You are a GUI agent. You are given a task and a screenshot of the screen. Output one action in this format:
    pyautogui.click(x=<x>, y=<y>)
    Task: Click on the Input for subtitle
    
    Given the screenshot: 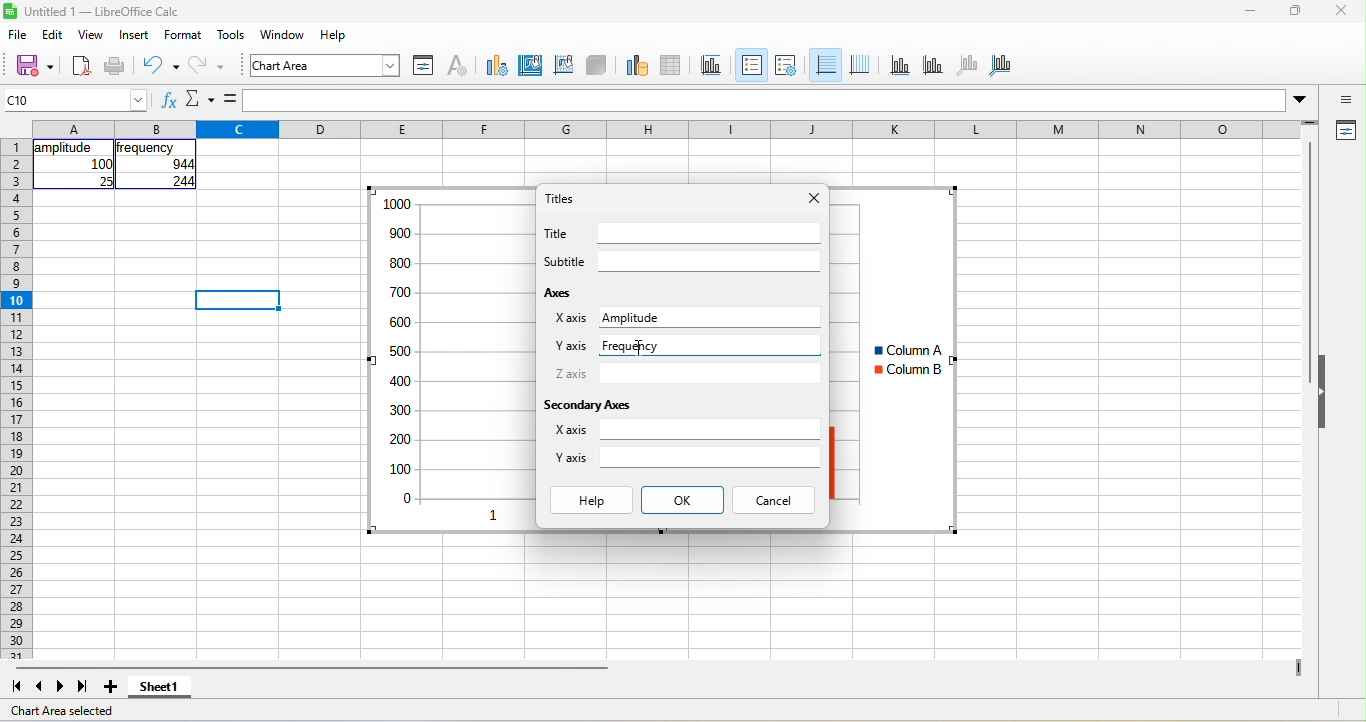 What is the action you would take?
    pyautogui.click(x=710, y=261)
    